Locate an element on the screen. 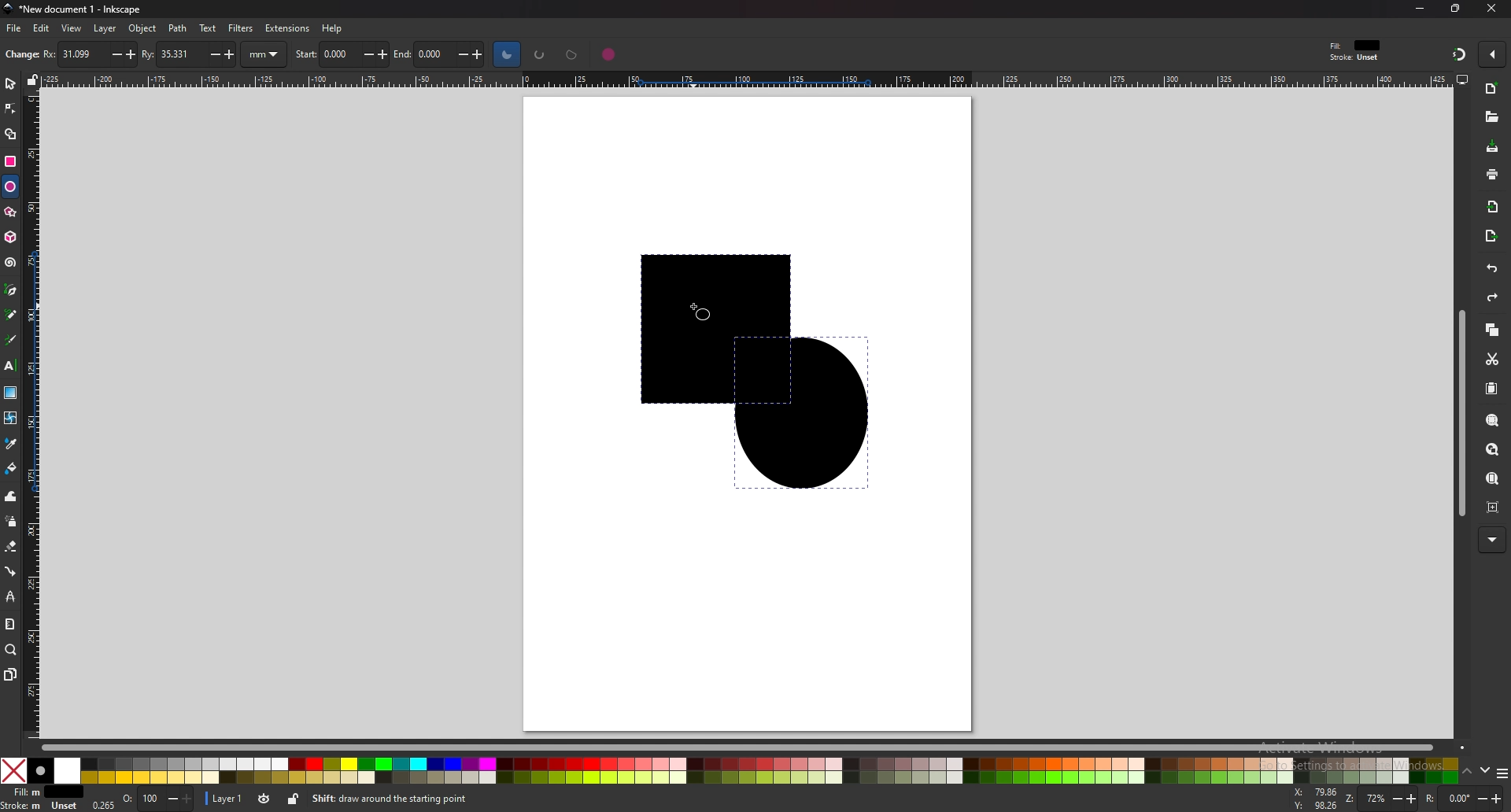  dropper is located at coordinates (12, 445).